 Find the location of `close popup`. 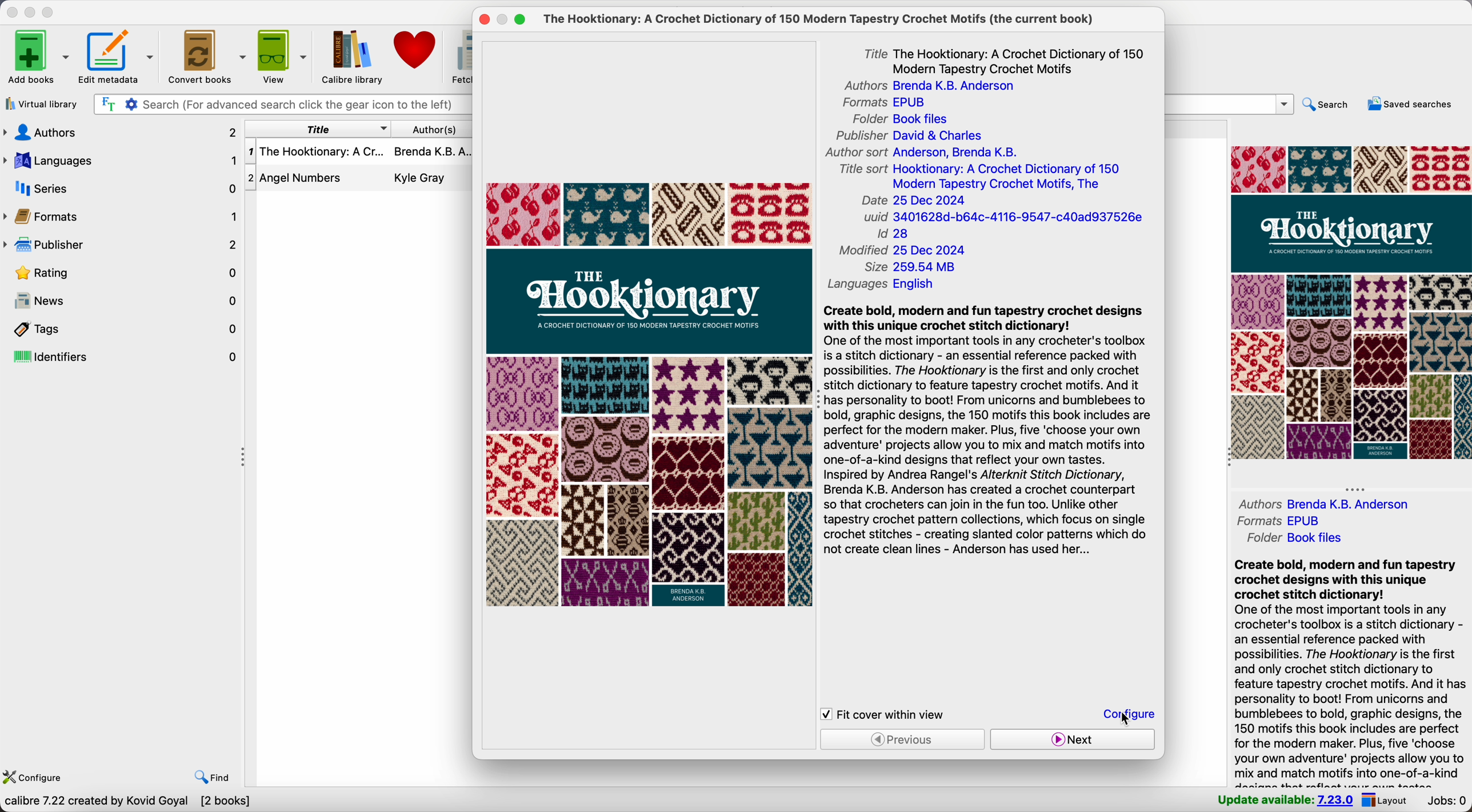

close popup is located at coordinates (485, 19).